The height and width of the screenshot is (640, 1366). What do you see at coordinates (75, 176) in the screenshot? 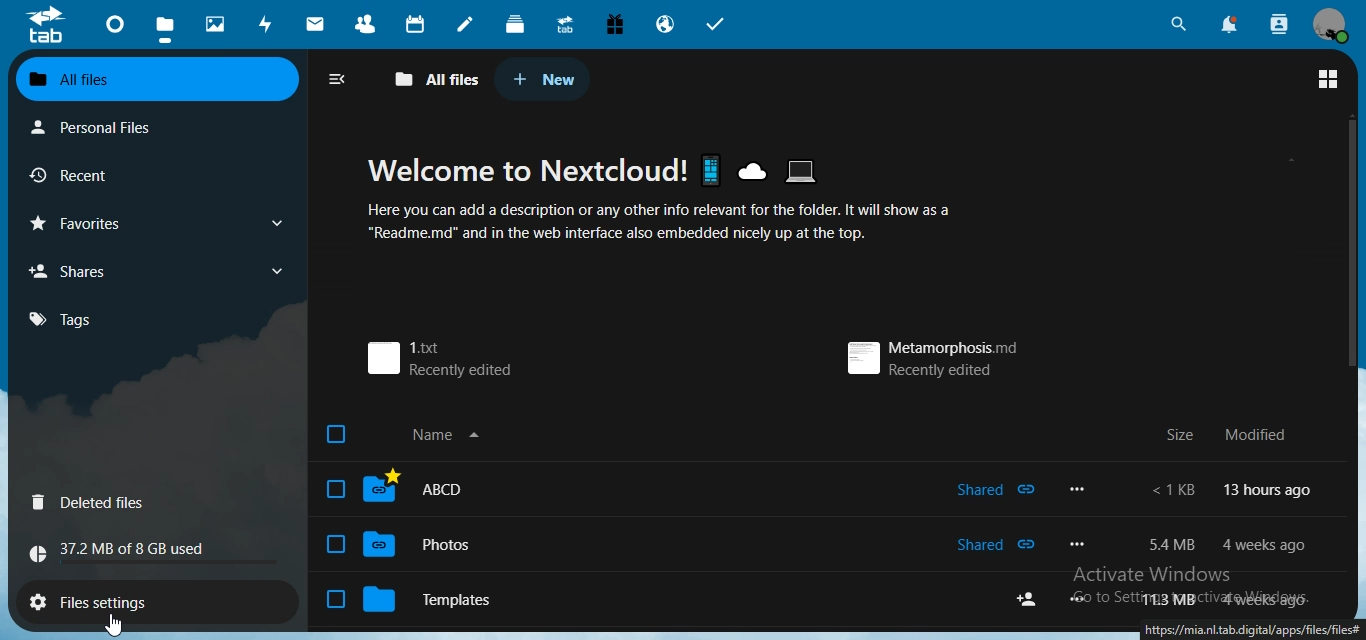
I see `recent` at bounding box center [75, 176].